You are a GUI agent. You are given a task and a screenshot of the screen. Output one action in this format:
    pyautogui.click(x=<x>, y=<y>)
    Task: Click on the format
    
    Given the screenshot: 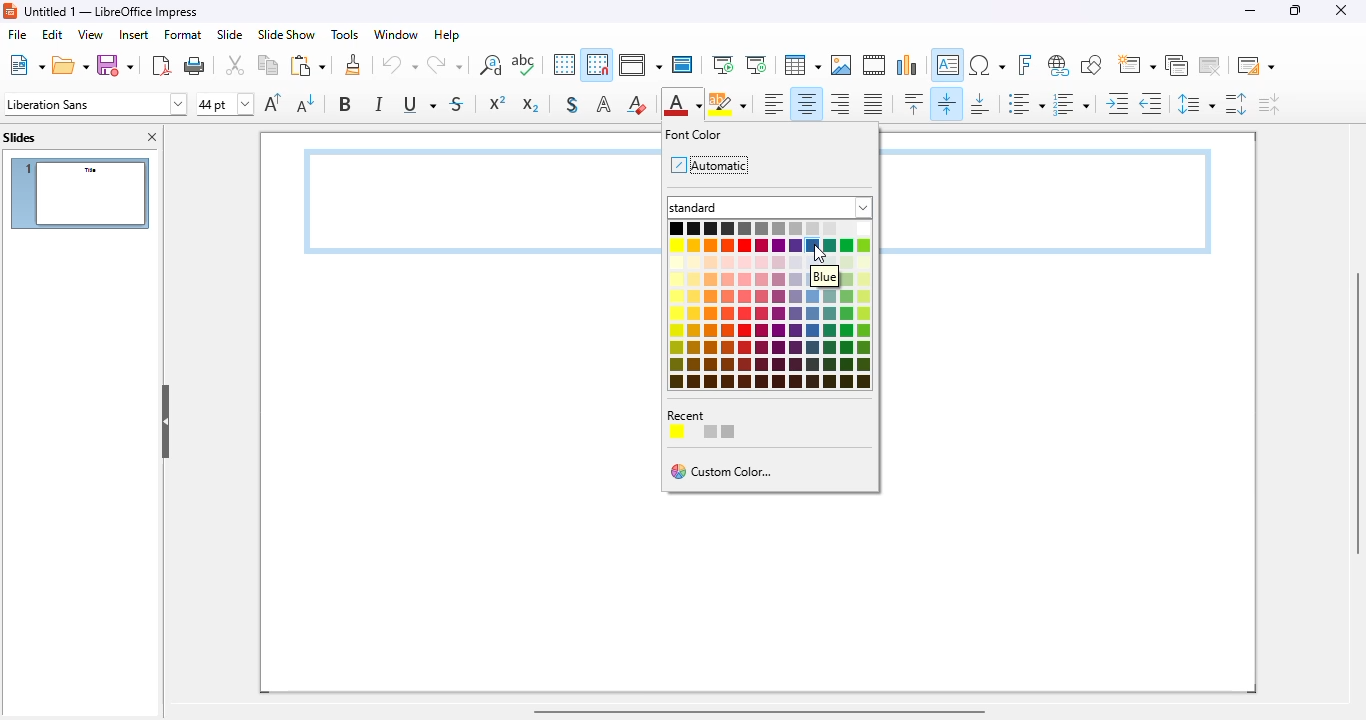 What is the action you would take?
    pyautogui.click(x=182, y=34)
    